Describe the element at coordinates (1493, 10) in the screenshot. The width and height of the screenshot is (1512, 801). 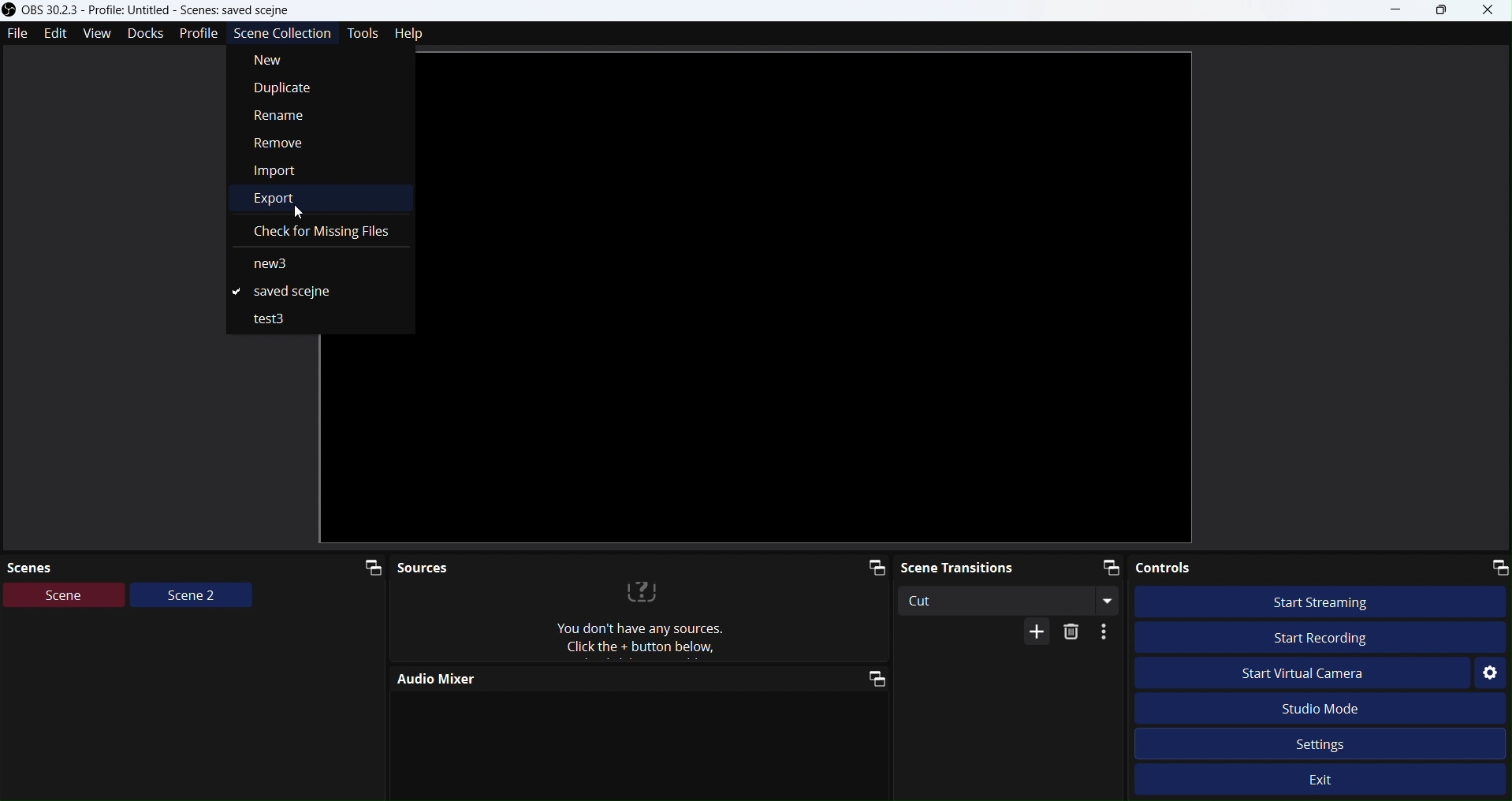
I see `Close` at that location.